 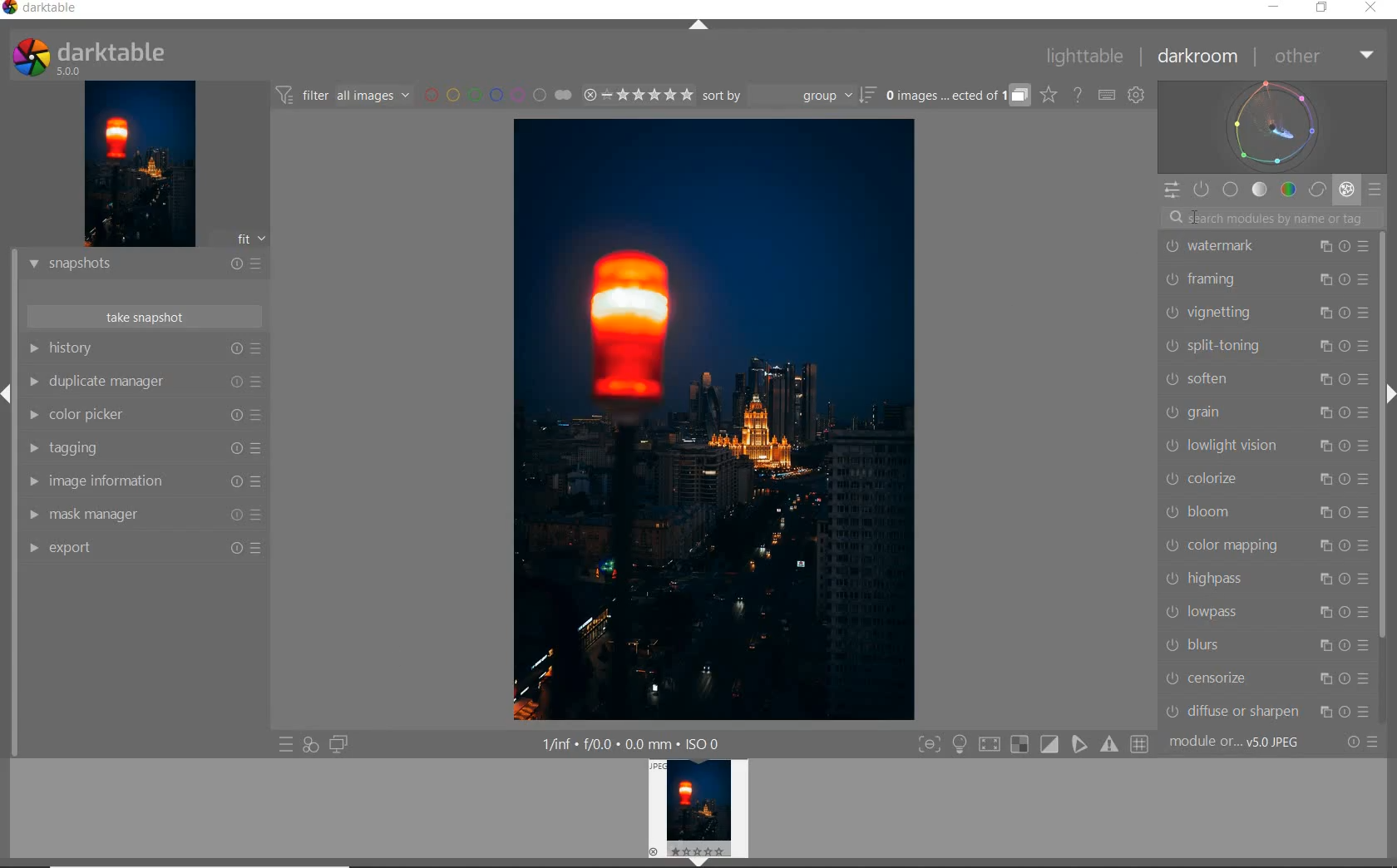 I want to click on LIGHTTABLE, so click(x=1087, y=55).